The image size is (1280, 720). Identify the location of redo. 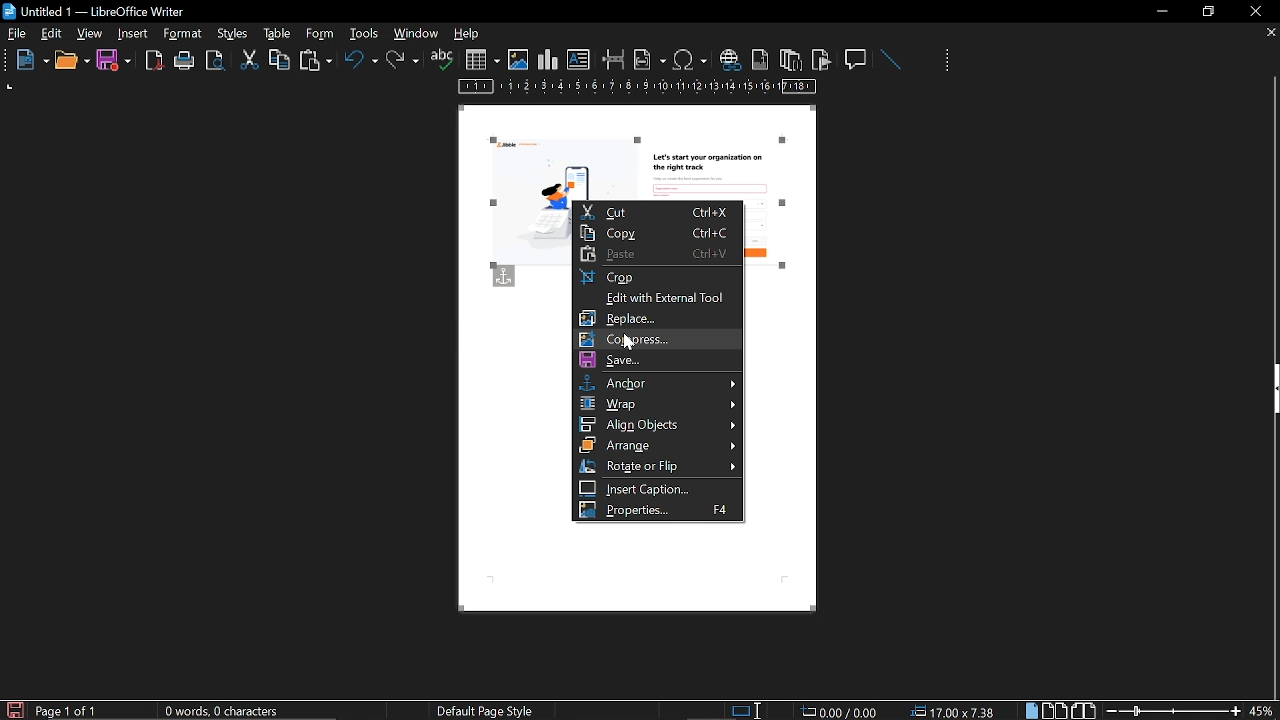
(403, 60).